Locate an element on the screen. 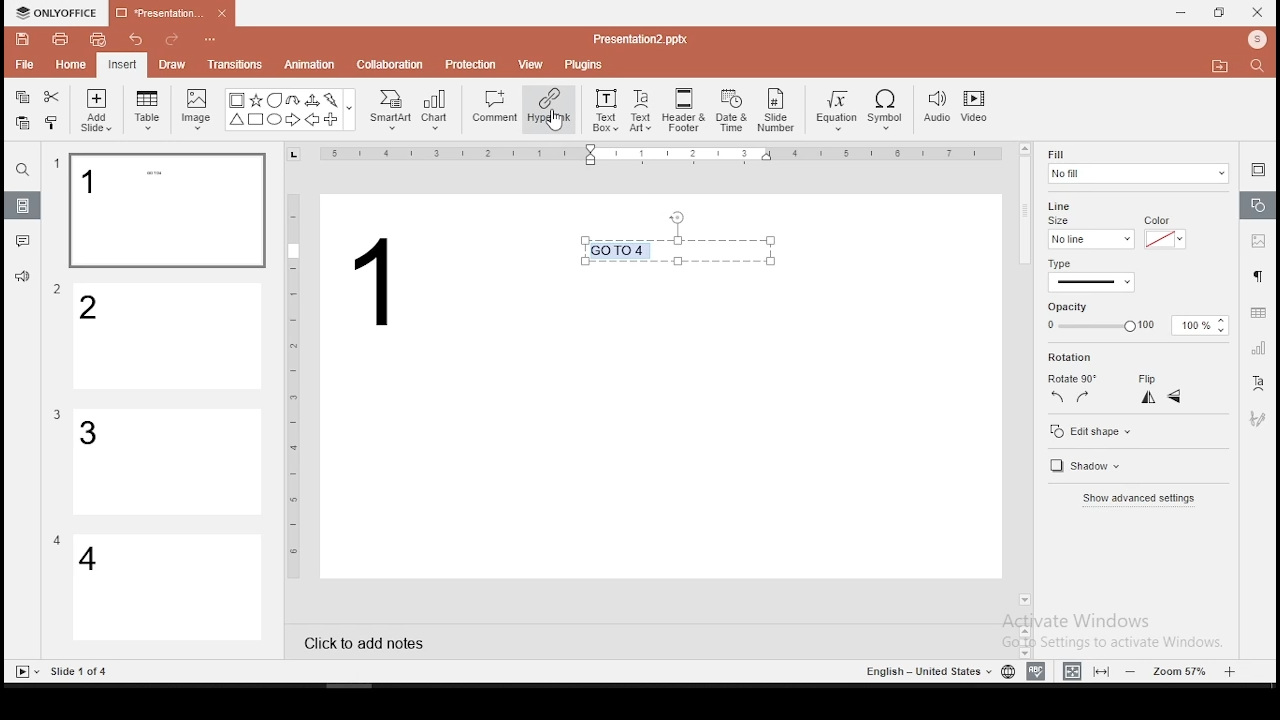 Image resolution: width=1280 pixels, height=720 pixels. Flash is located at coordinates (333, 100).